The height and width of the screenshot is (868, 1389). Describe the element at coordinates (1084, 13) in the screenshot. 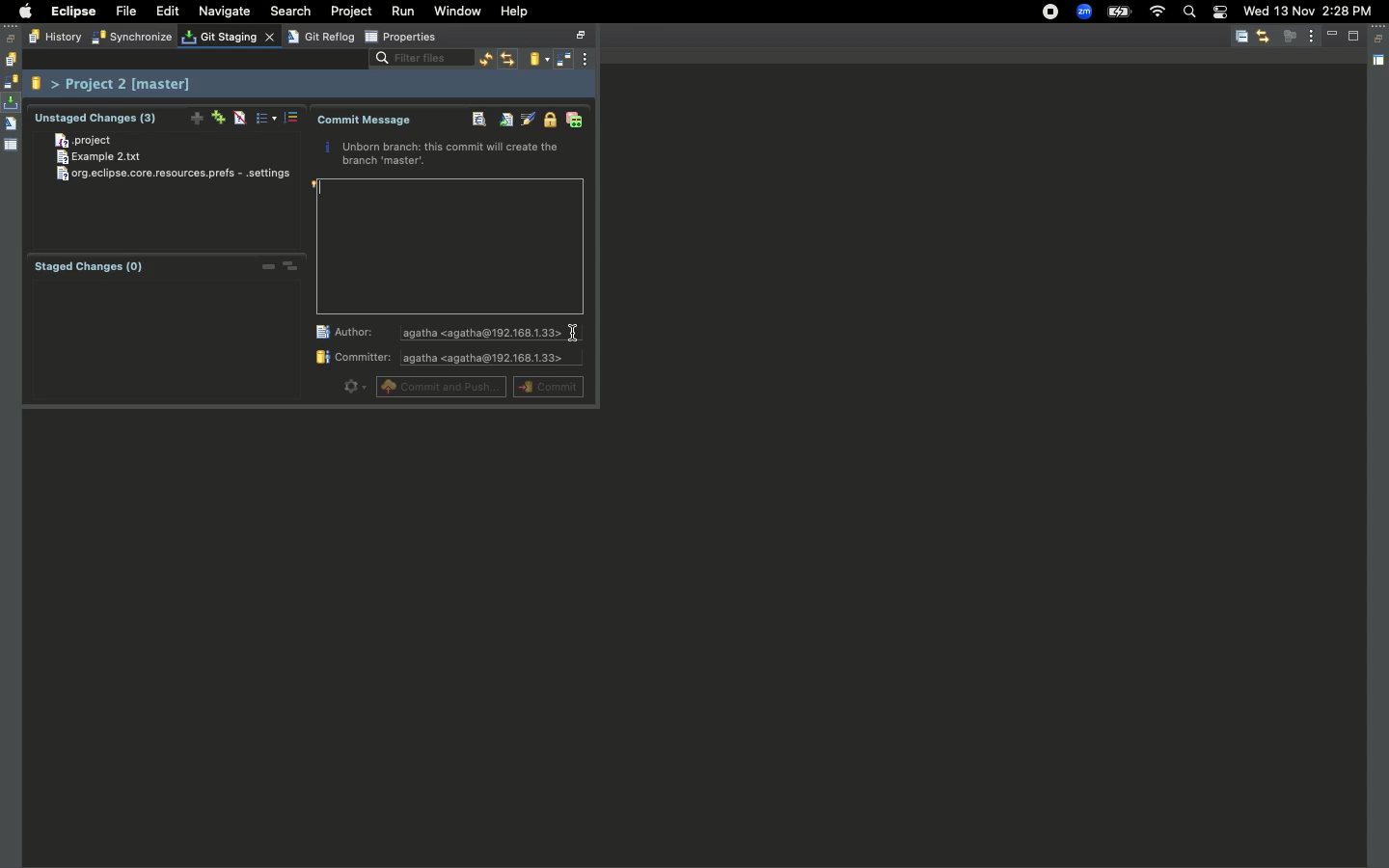

I see `Zoom` at that location.